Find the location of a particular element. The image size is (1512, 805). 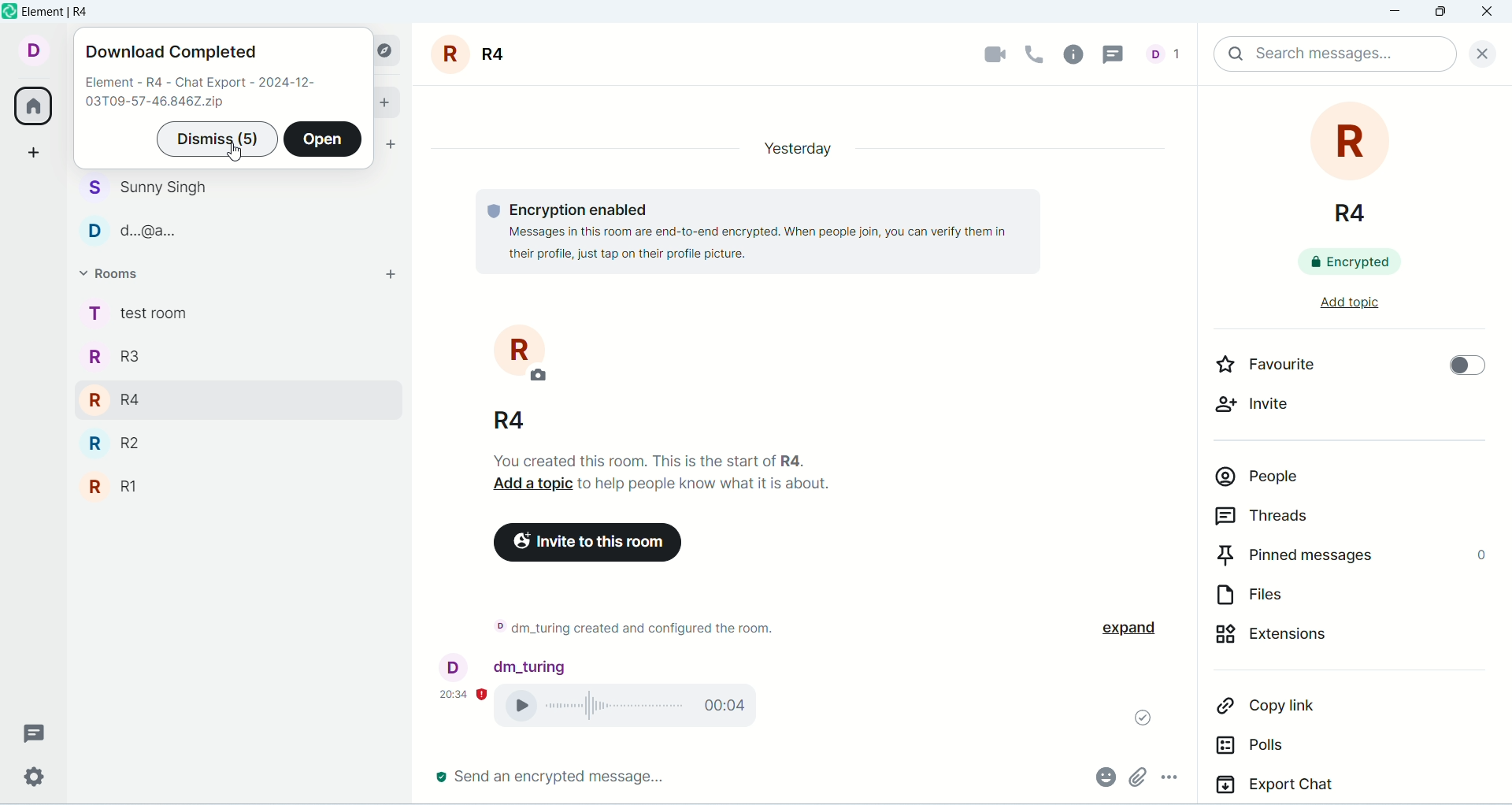

people is located at coordinates (1169, 53).